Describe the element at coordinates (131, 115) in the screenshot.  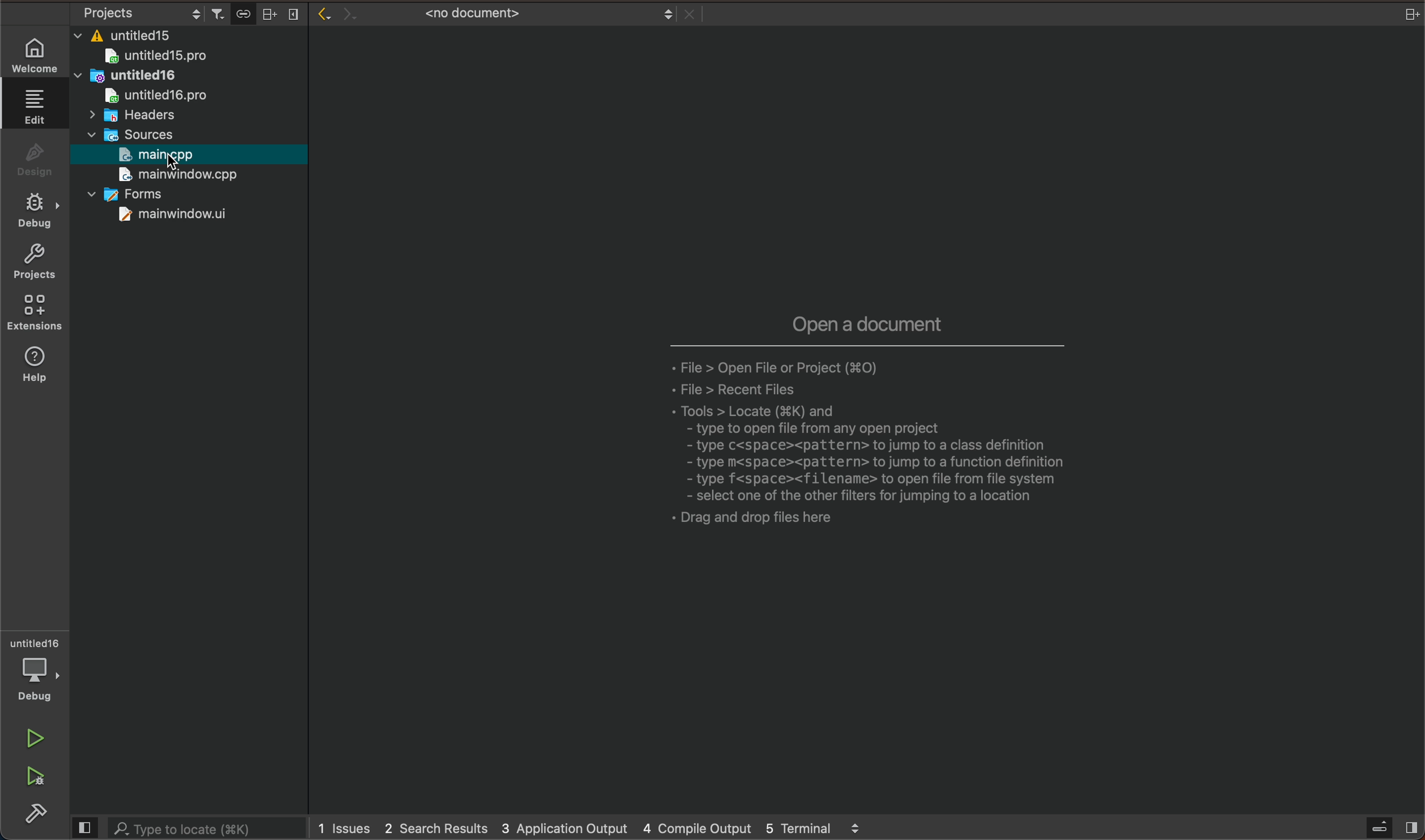
I see `headers` at that location.